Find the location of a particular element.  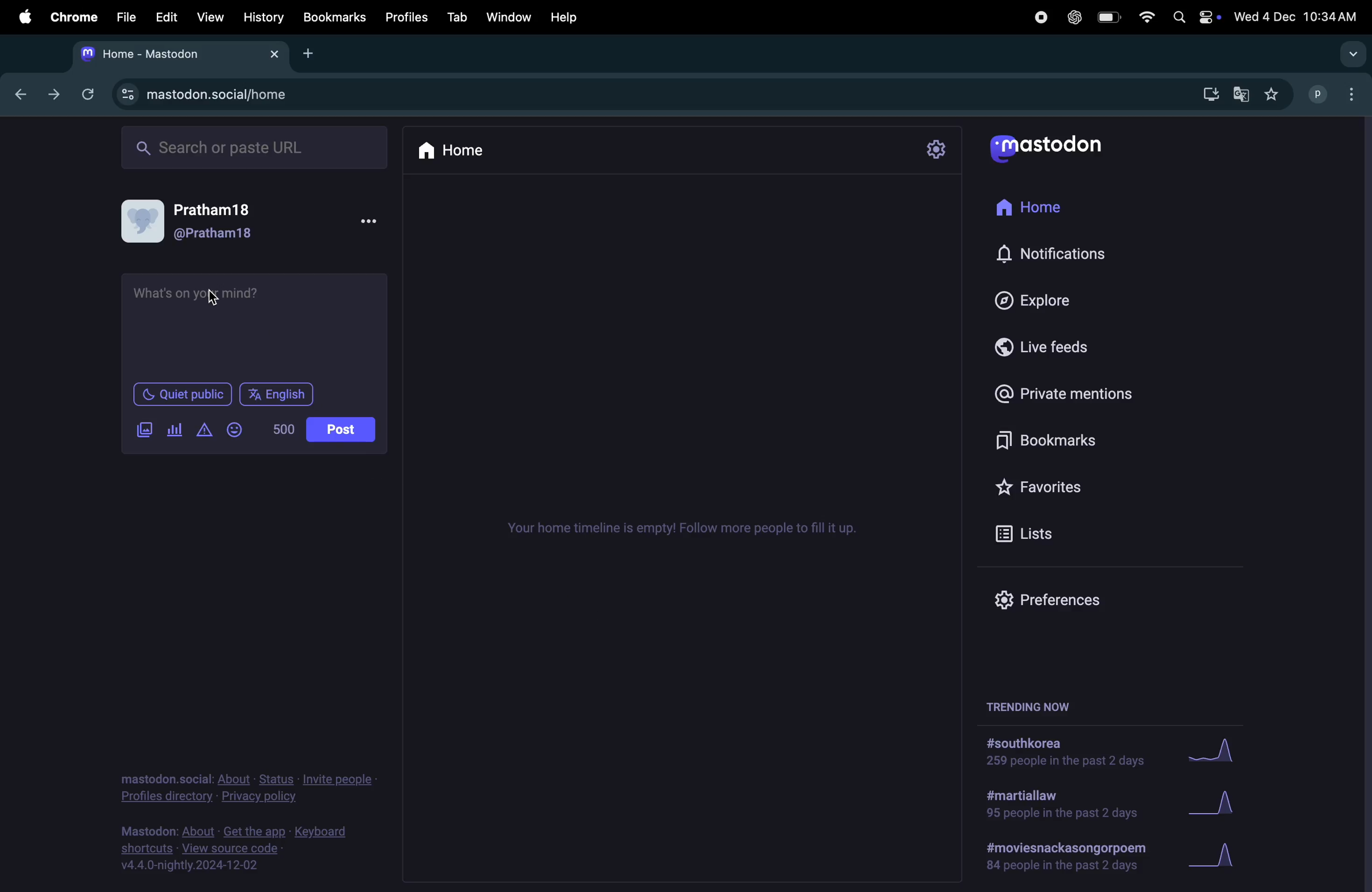

date and time is located at coordinates (1297, 14).